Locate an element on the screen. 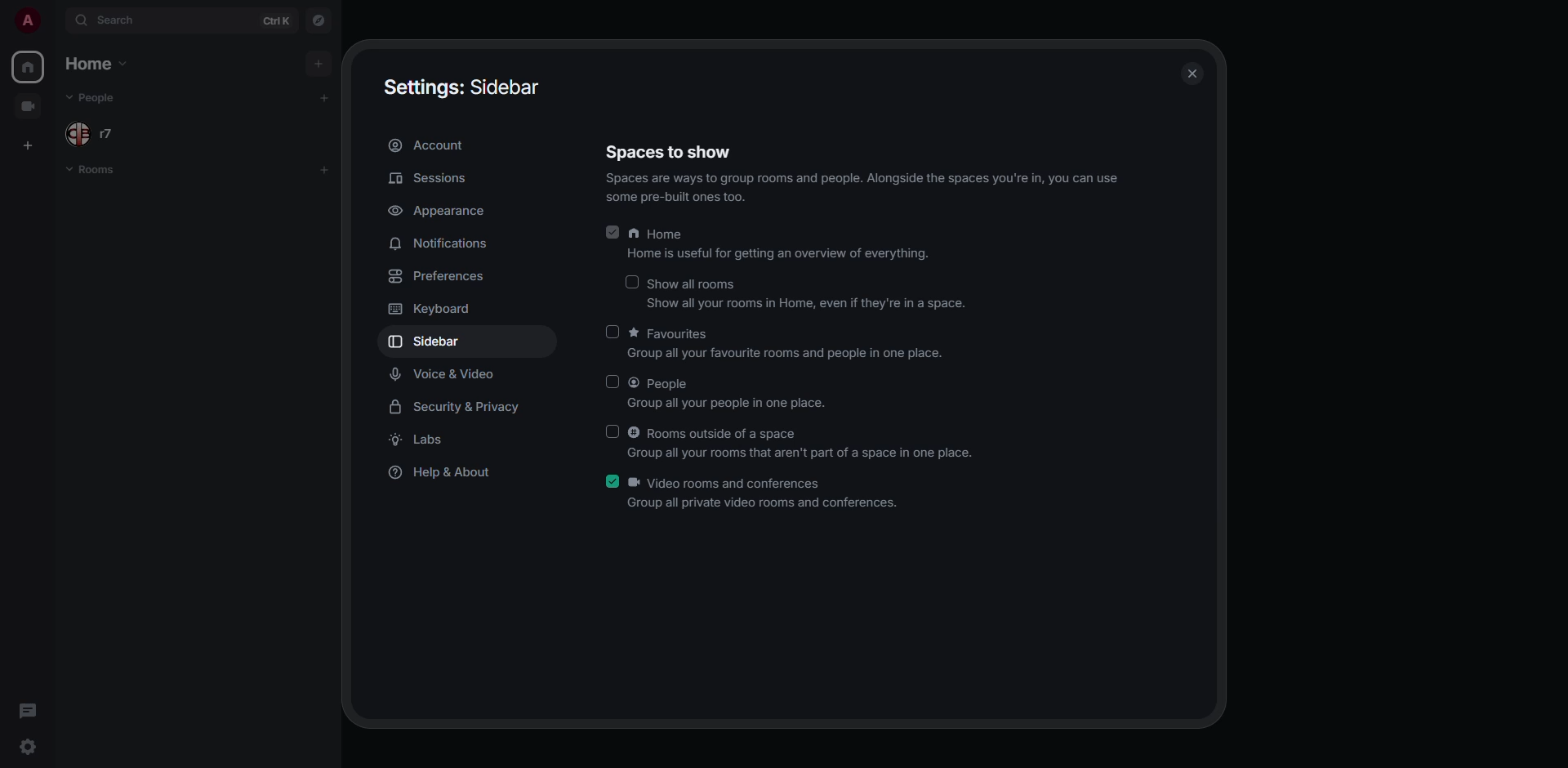  people is located at coordinates (728, 394).